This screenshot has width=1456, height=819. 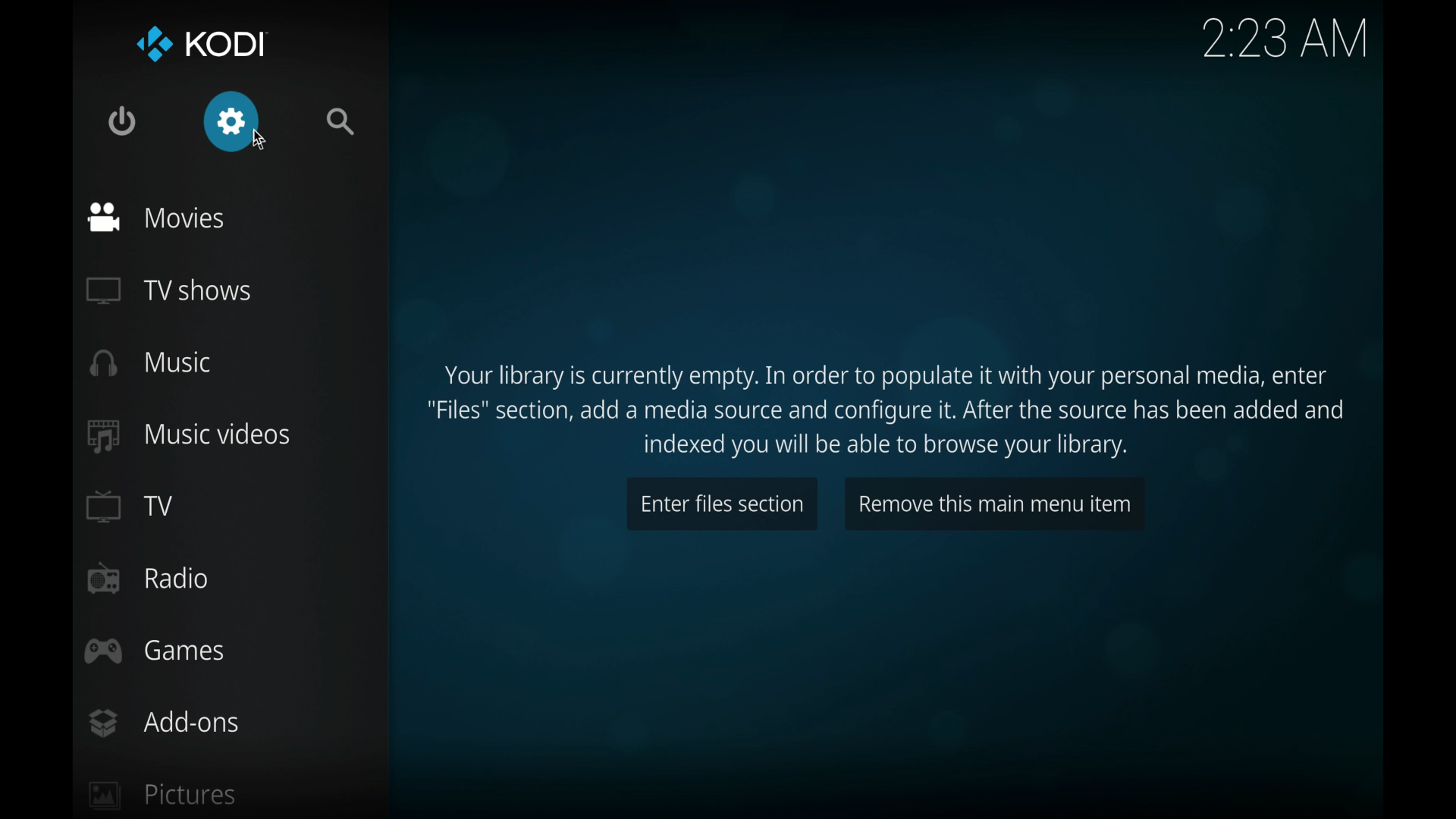 What do you see at coordinates (340, 122) in the screenshot?
I see `search` at bounding box center [340, 122].